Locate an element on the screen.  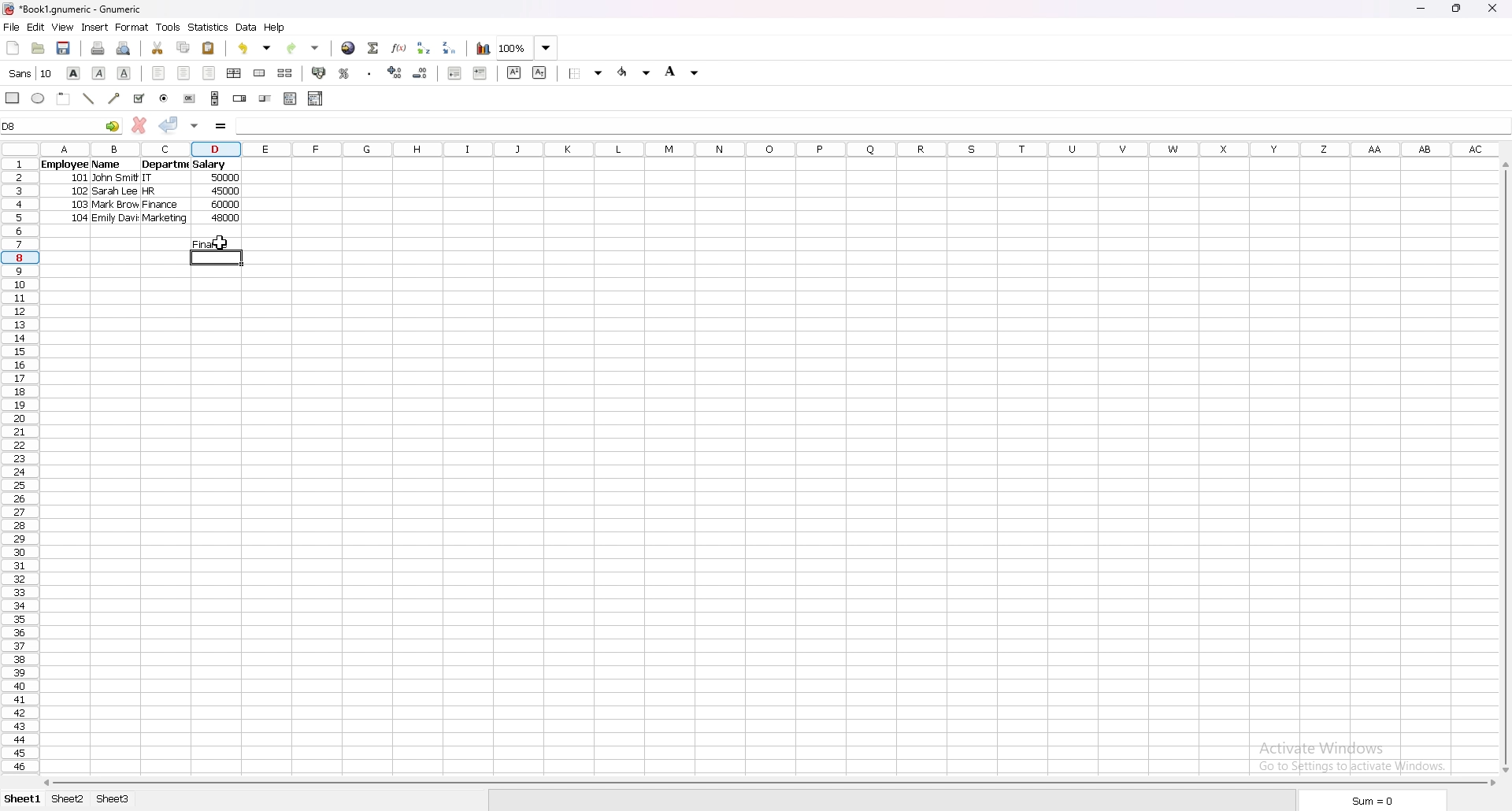
6000 is located at coordinates (223, 206).